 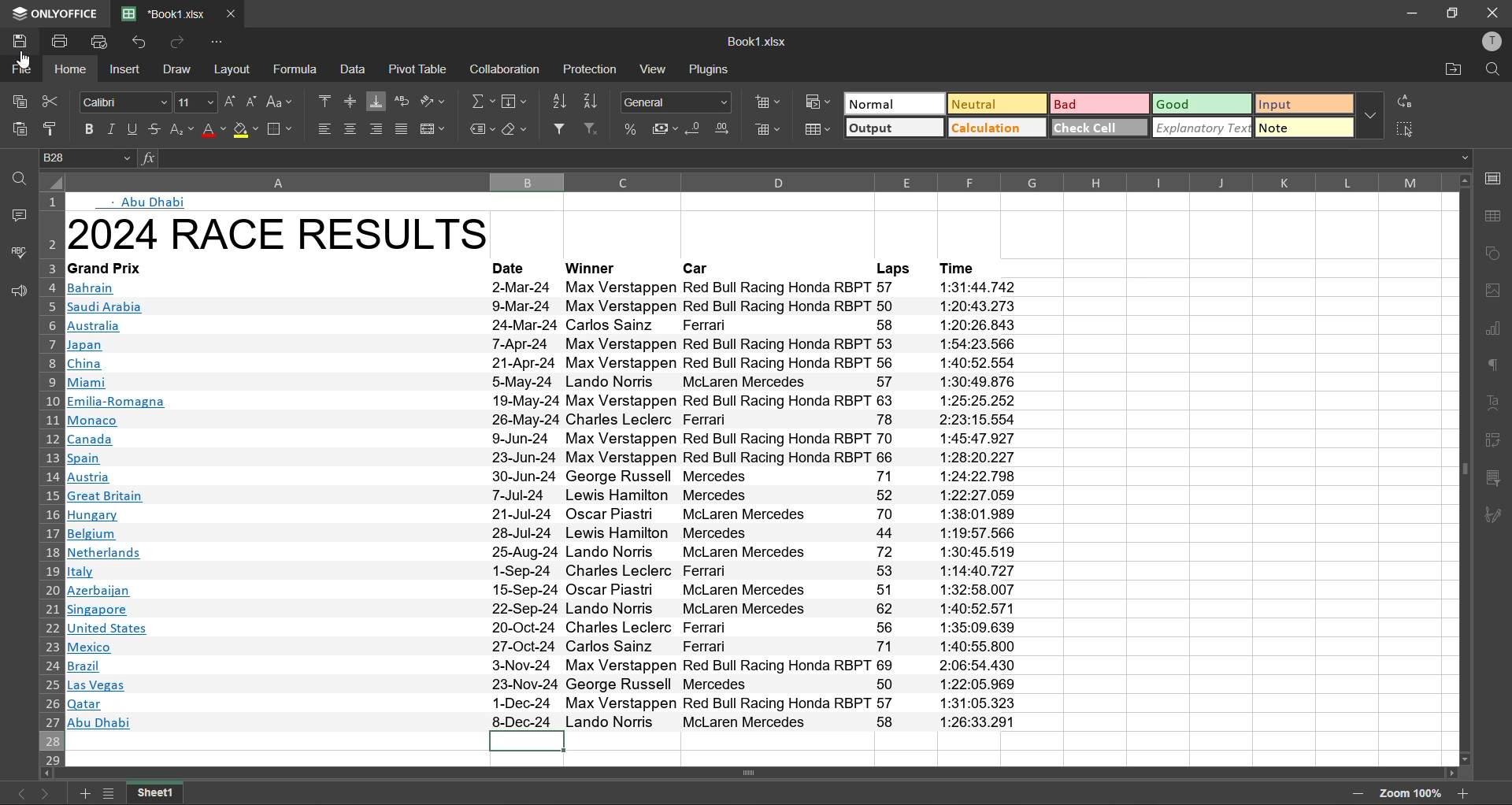 What do you see at coordinates (14, 252) in the screenshot?
I see `spellcheck` at bounding box center [14, 252].